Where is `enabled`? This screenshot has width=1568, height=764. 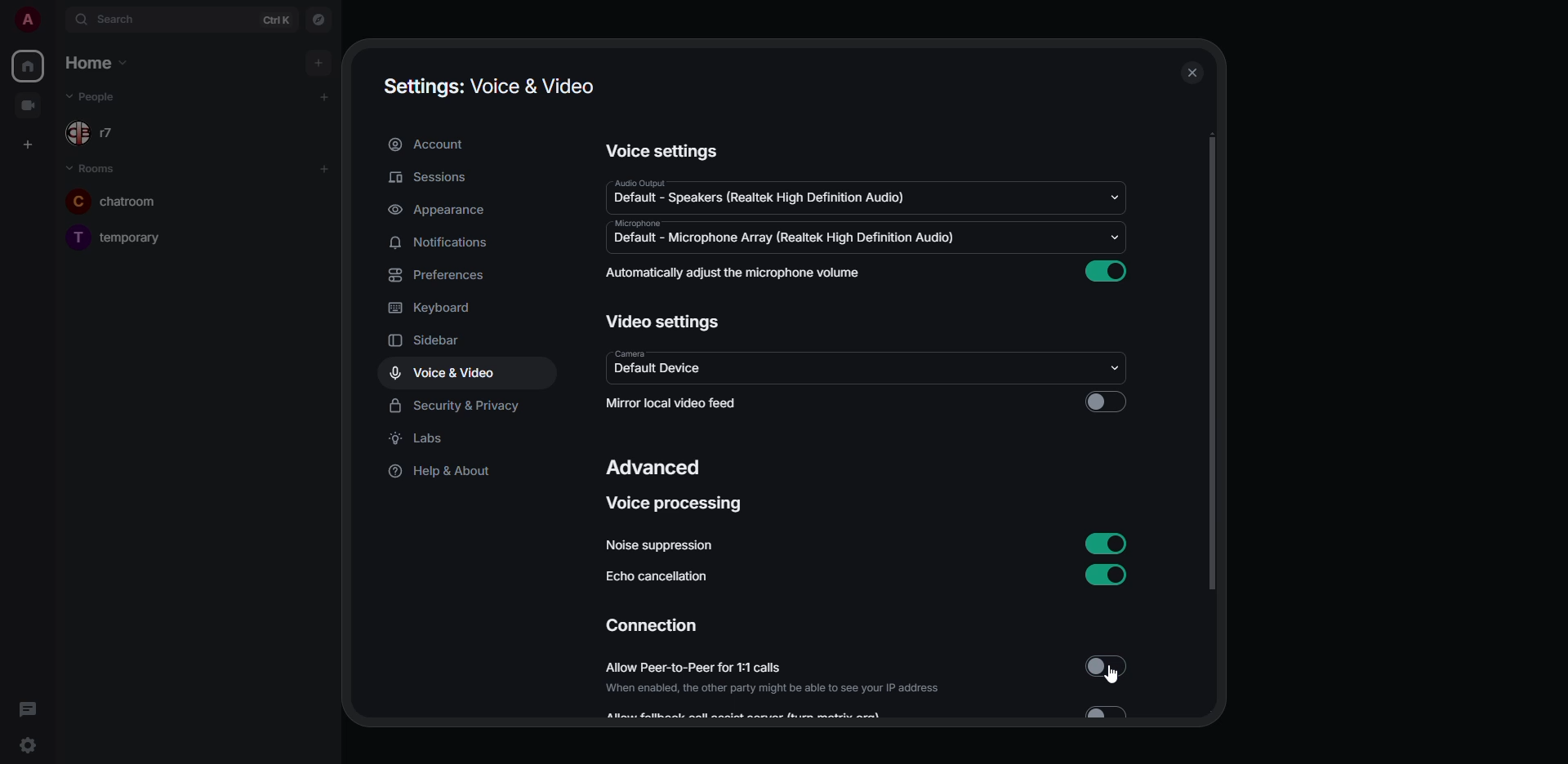
enabled is located at coordinates (1109, 269).